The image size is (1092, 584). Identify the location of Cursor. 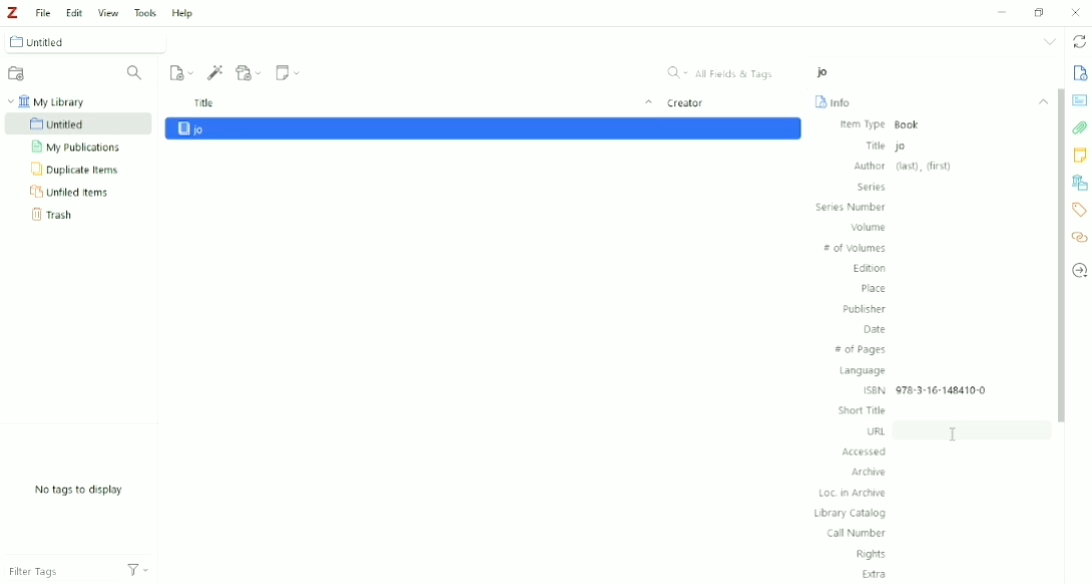
(956, 435).